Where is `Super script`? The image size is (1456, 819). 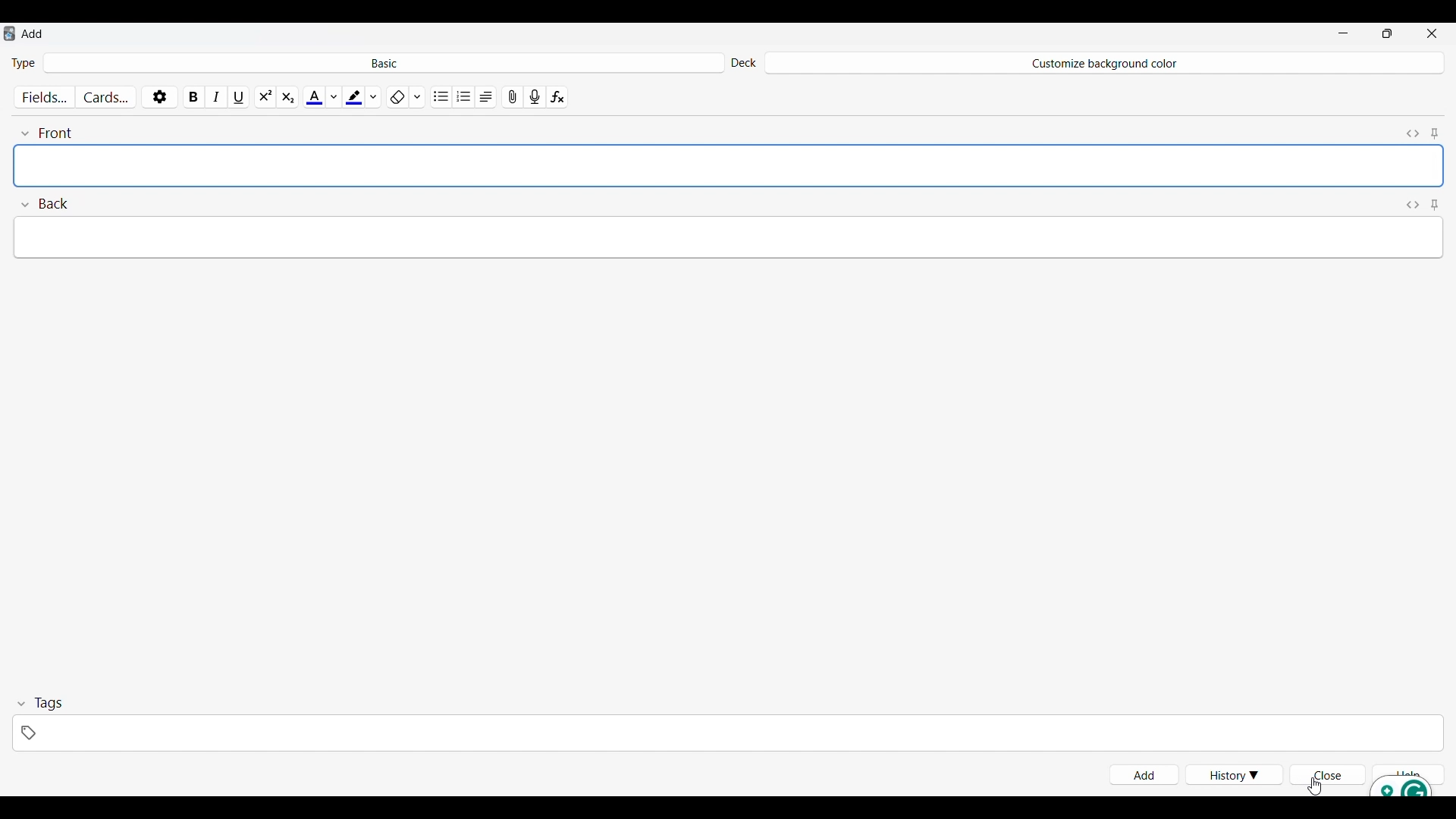
Super script is located at coordinates (265, 95).